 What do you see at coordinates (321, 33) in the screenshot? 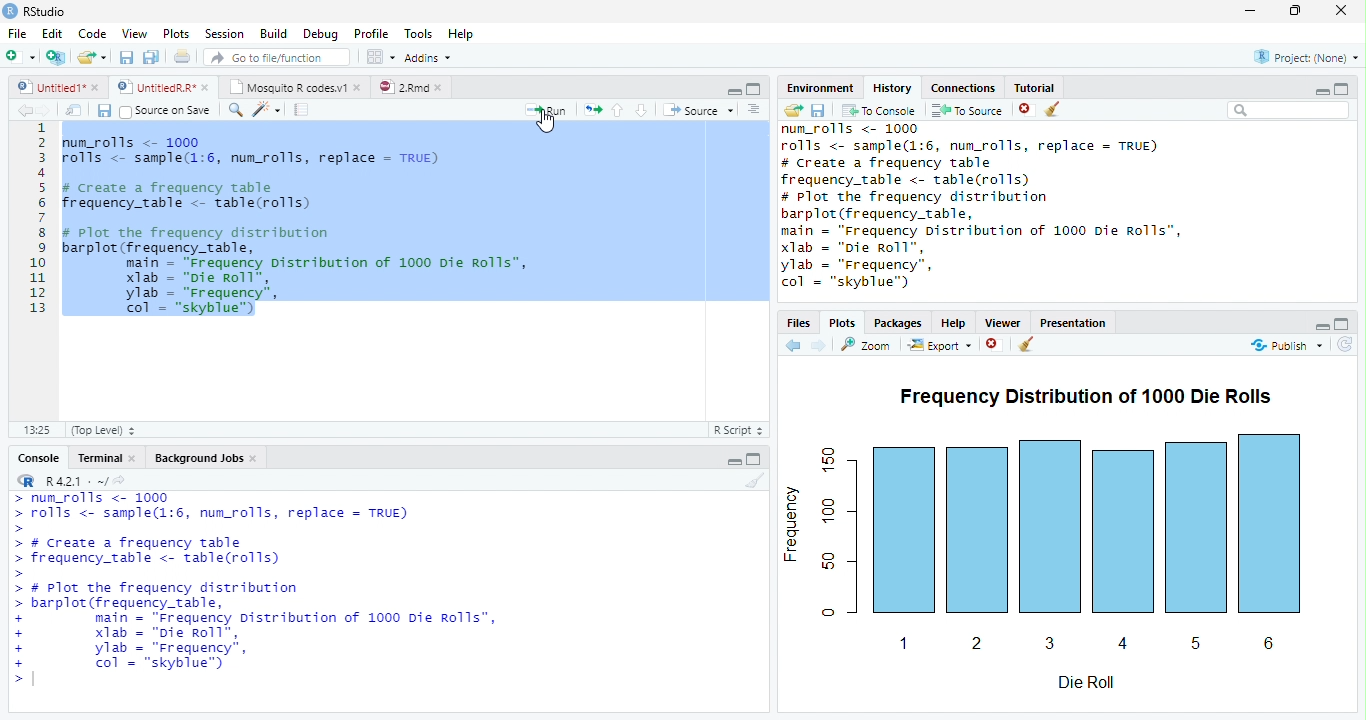
I see `Debug` at bounding box center [321, 33].